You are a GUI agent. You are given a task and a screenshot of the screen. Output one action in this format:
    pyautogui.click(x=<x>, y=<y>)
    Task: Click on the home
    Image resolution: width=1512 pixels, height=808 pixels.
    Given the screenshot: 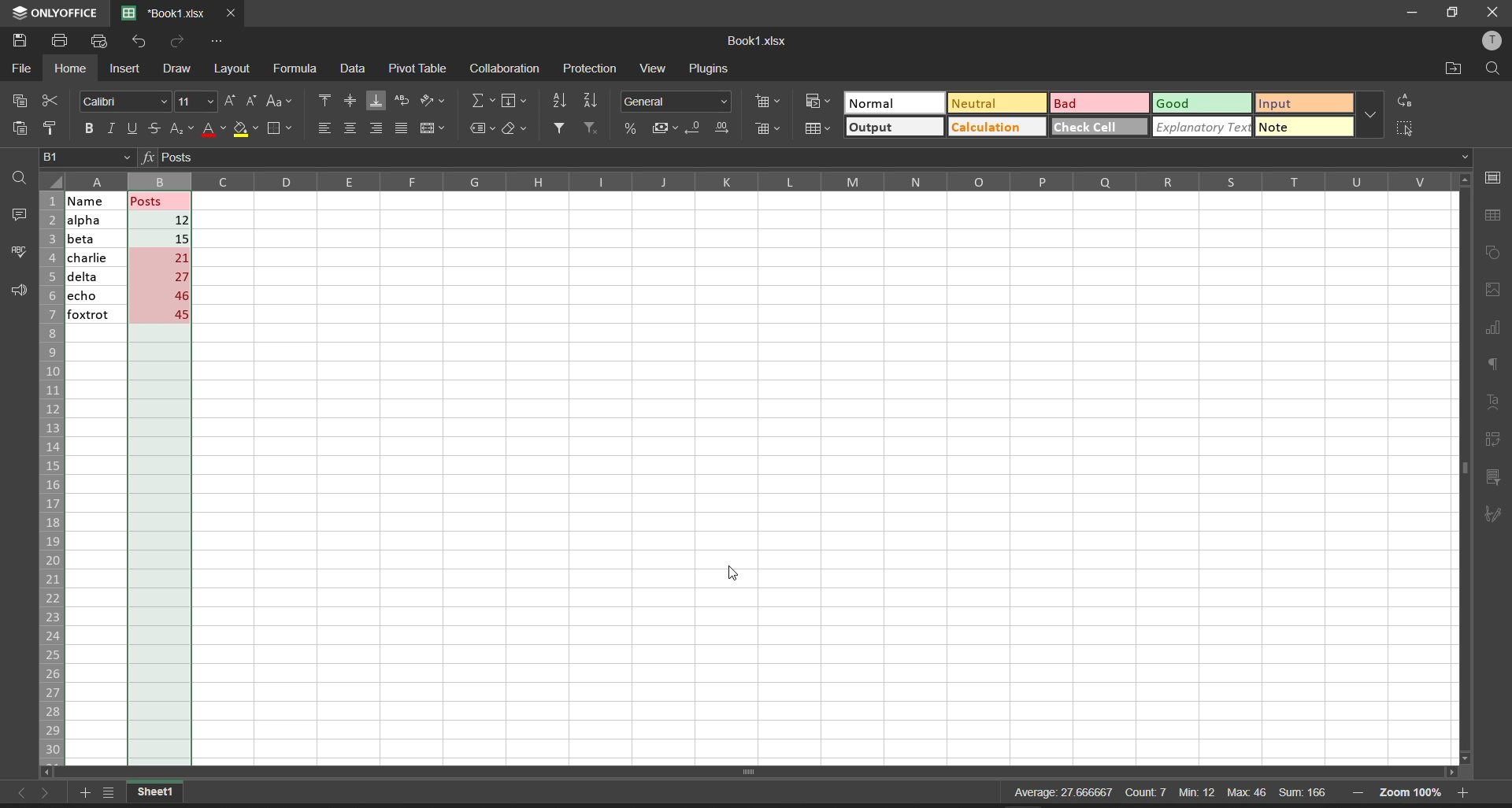 What is the action you would take?
    pyautogui.click(x=73, y=70)
    